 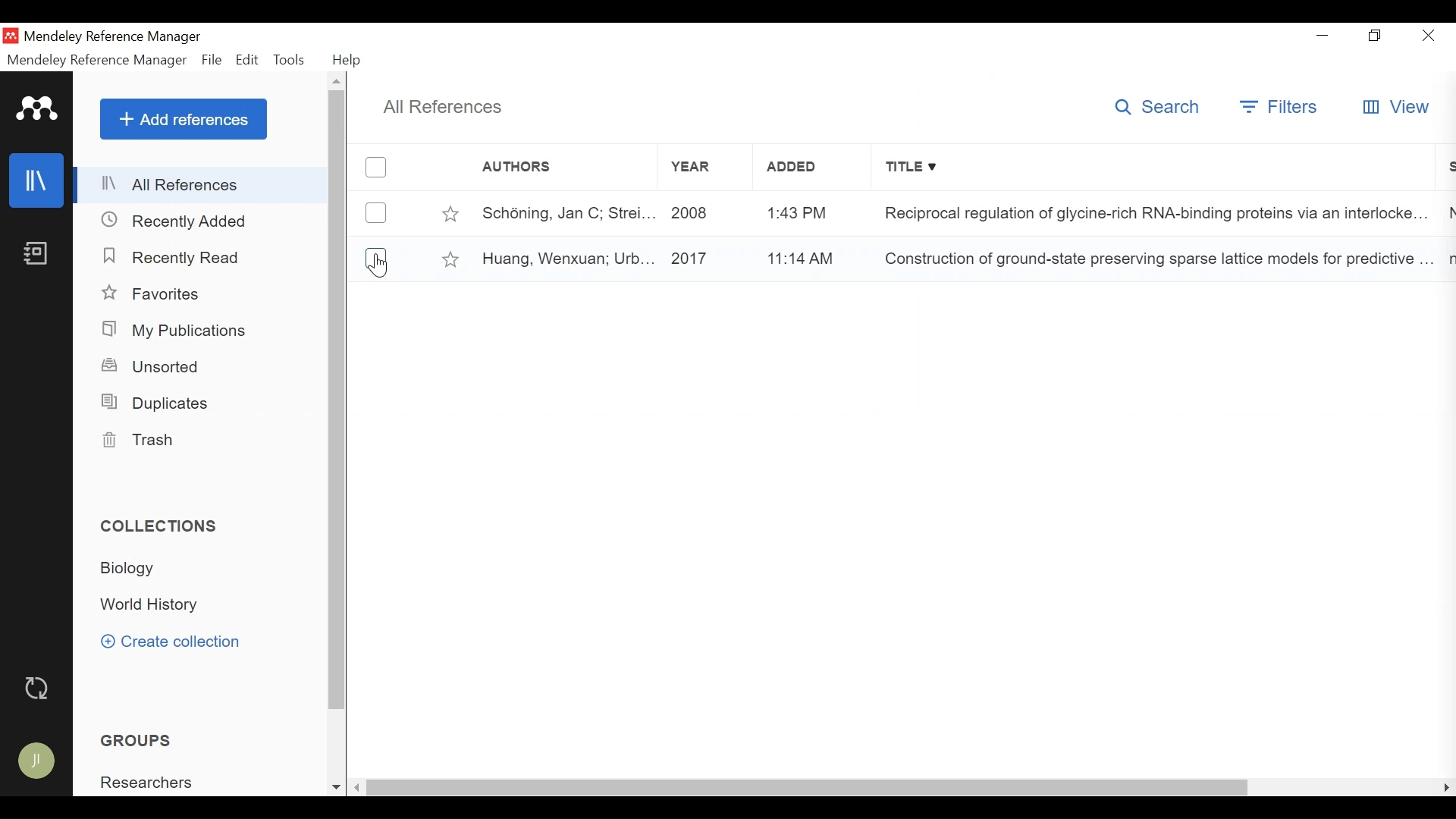 I want to click on Add References, so click(x=184, y=118).